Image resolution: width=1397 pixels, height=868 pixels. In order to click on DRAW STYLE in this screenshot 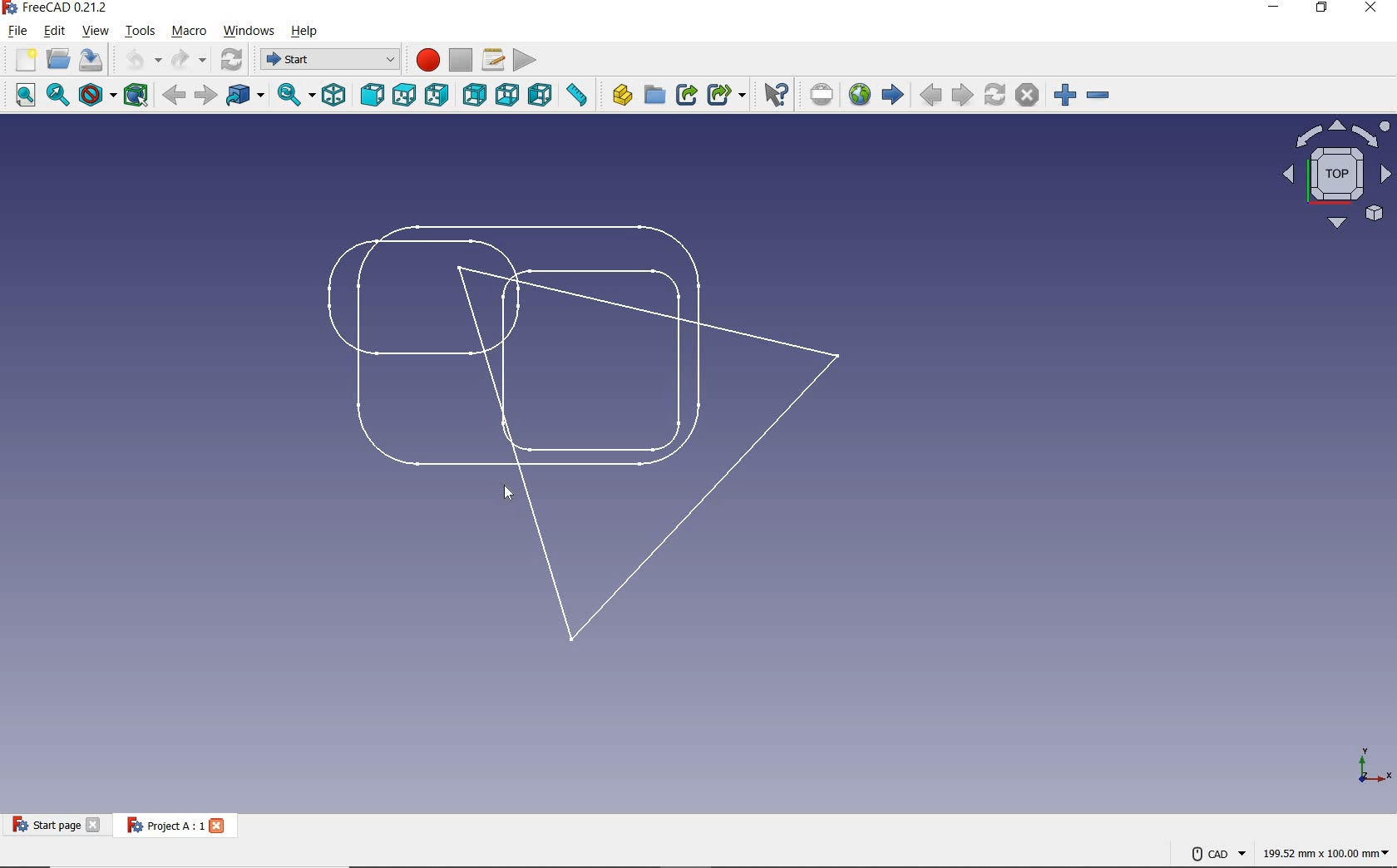, I will do `click(96, 94)`.